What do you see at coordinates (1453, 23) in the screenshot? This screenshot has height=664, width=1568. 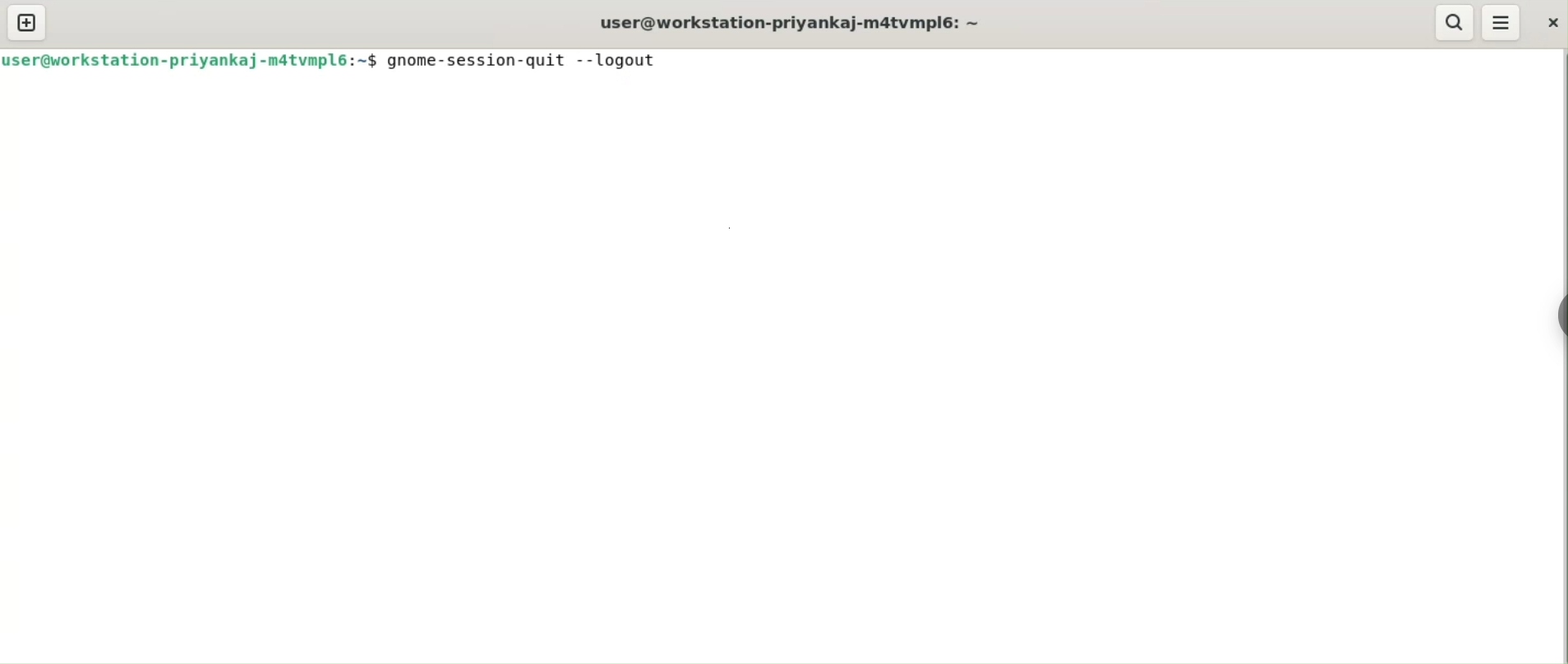 I see `search` at bounding box center [1453, 23].